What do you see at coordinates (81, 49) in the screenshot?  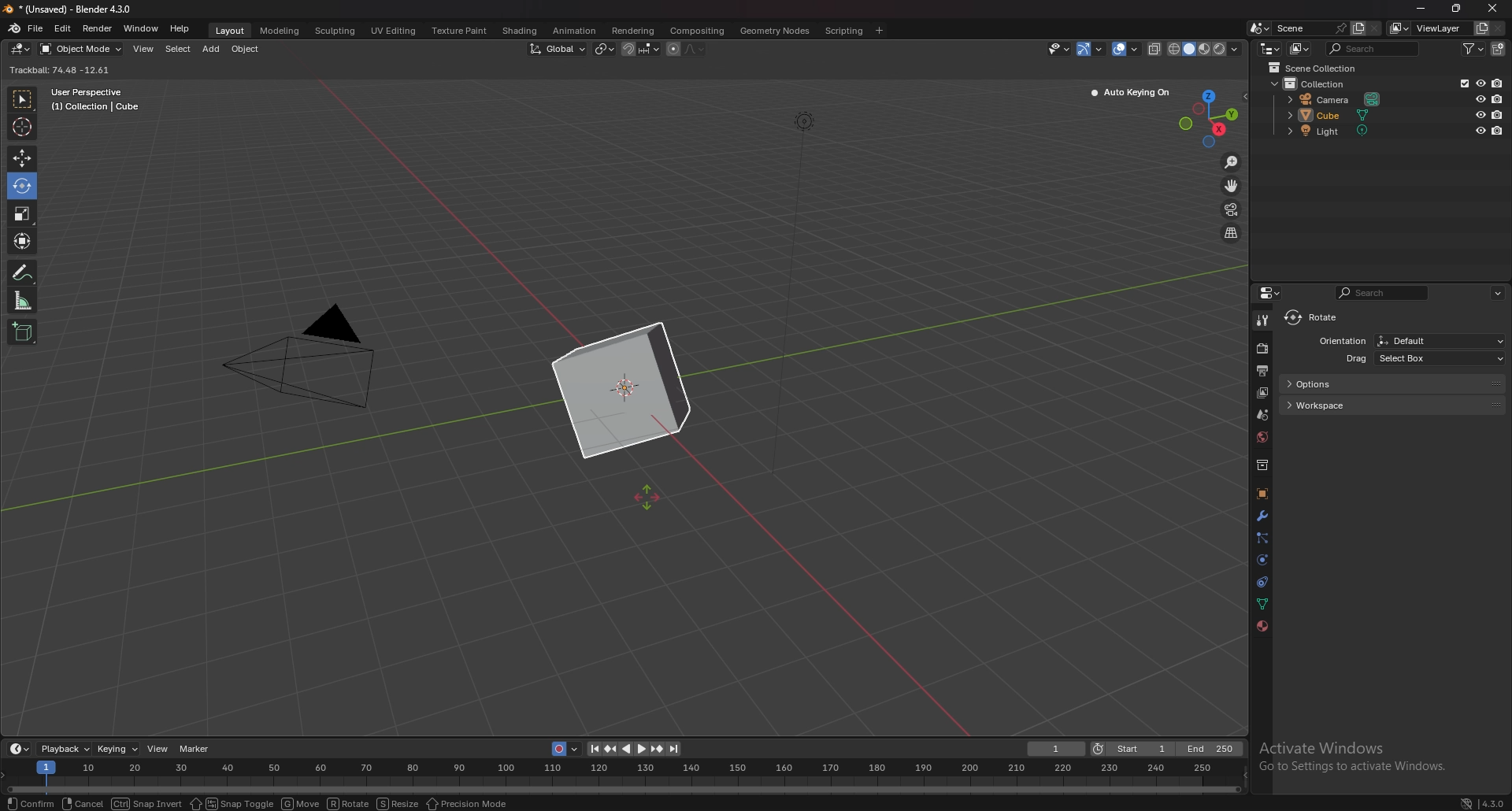 I see `object mode` at bounding box center [81, 49].